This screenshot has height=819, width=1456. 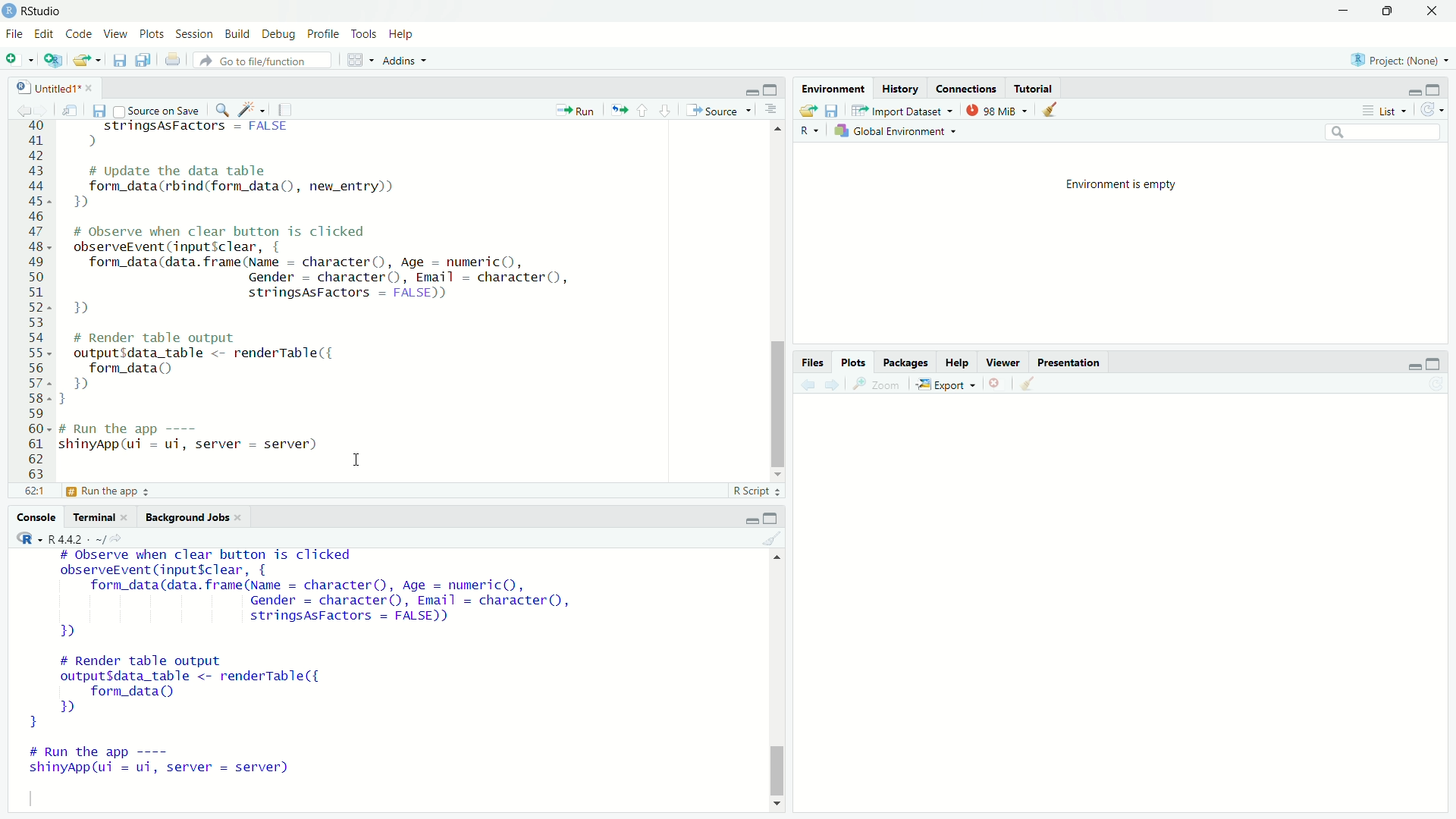 I want to click on console, so click(x=34, y=517).